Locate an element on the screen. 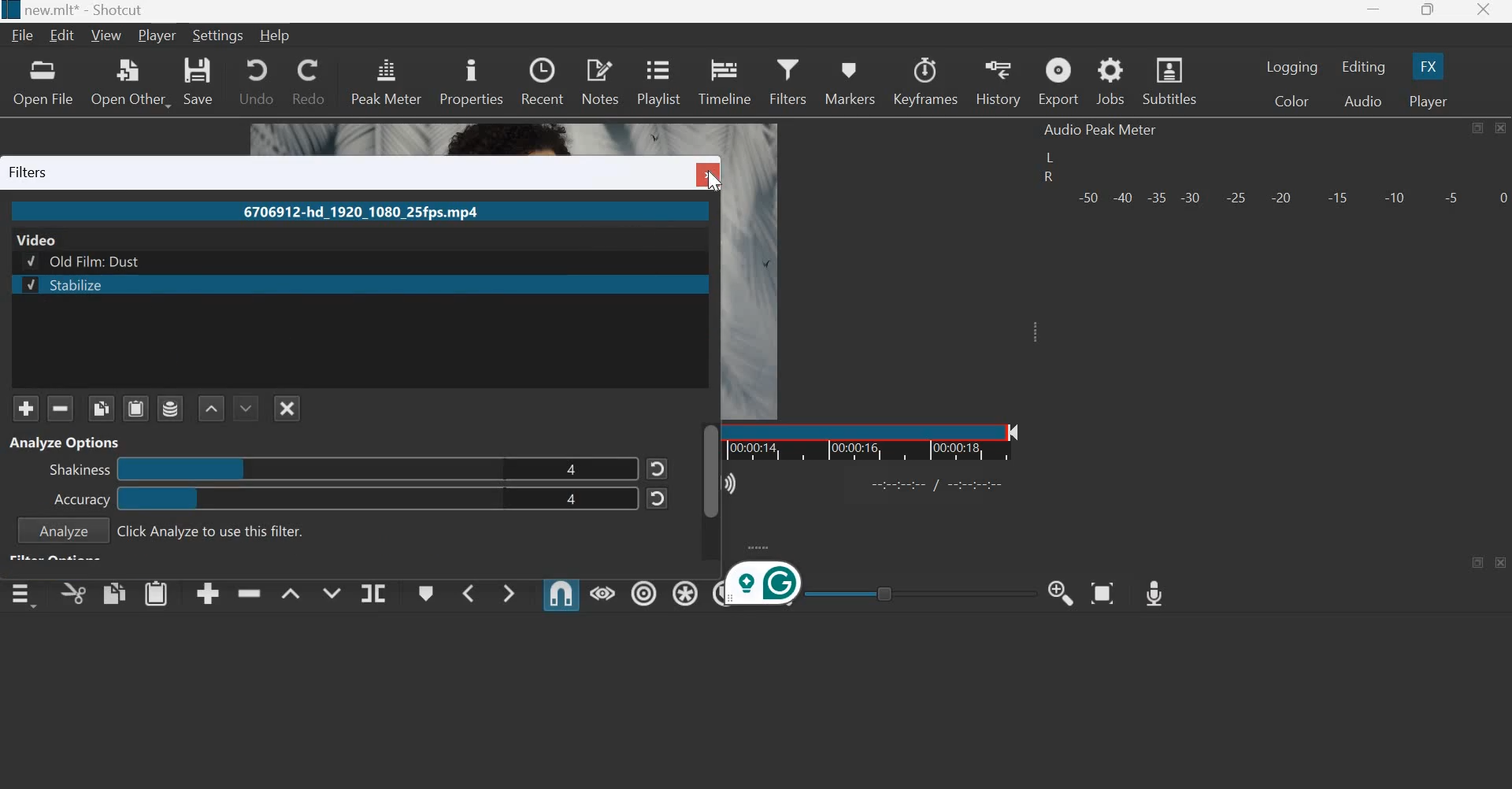  Jobs is located at coordinates (1110, 82).